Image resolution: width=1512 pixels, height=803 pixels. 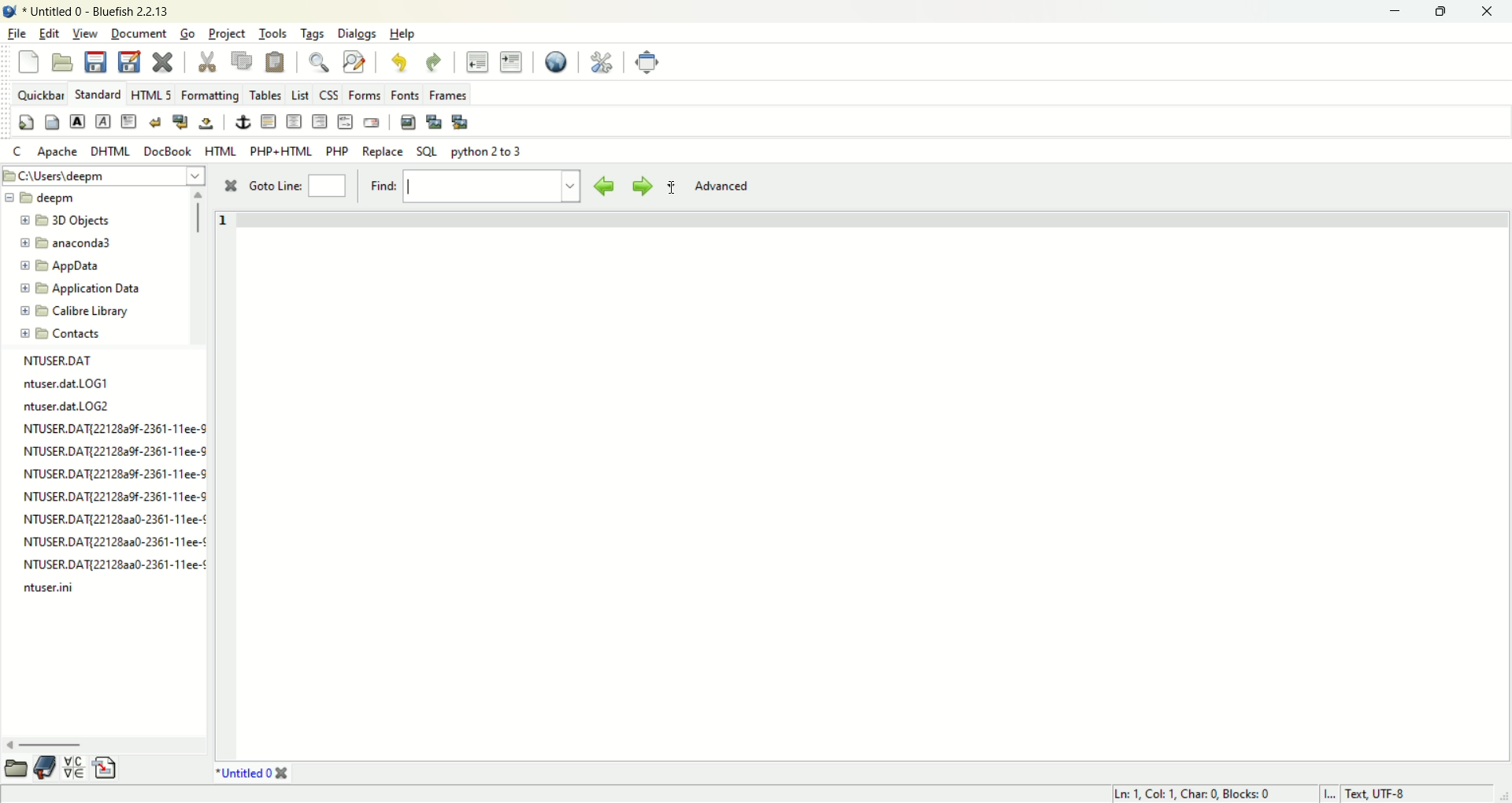 What do you see at coordinates (318, 121) in the screenshot?
I see `right justify` at bounding box center [318, 121].